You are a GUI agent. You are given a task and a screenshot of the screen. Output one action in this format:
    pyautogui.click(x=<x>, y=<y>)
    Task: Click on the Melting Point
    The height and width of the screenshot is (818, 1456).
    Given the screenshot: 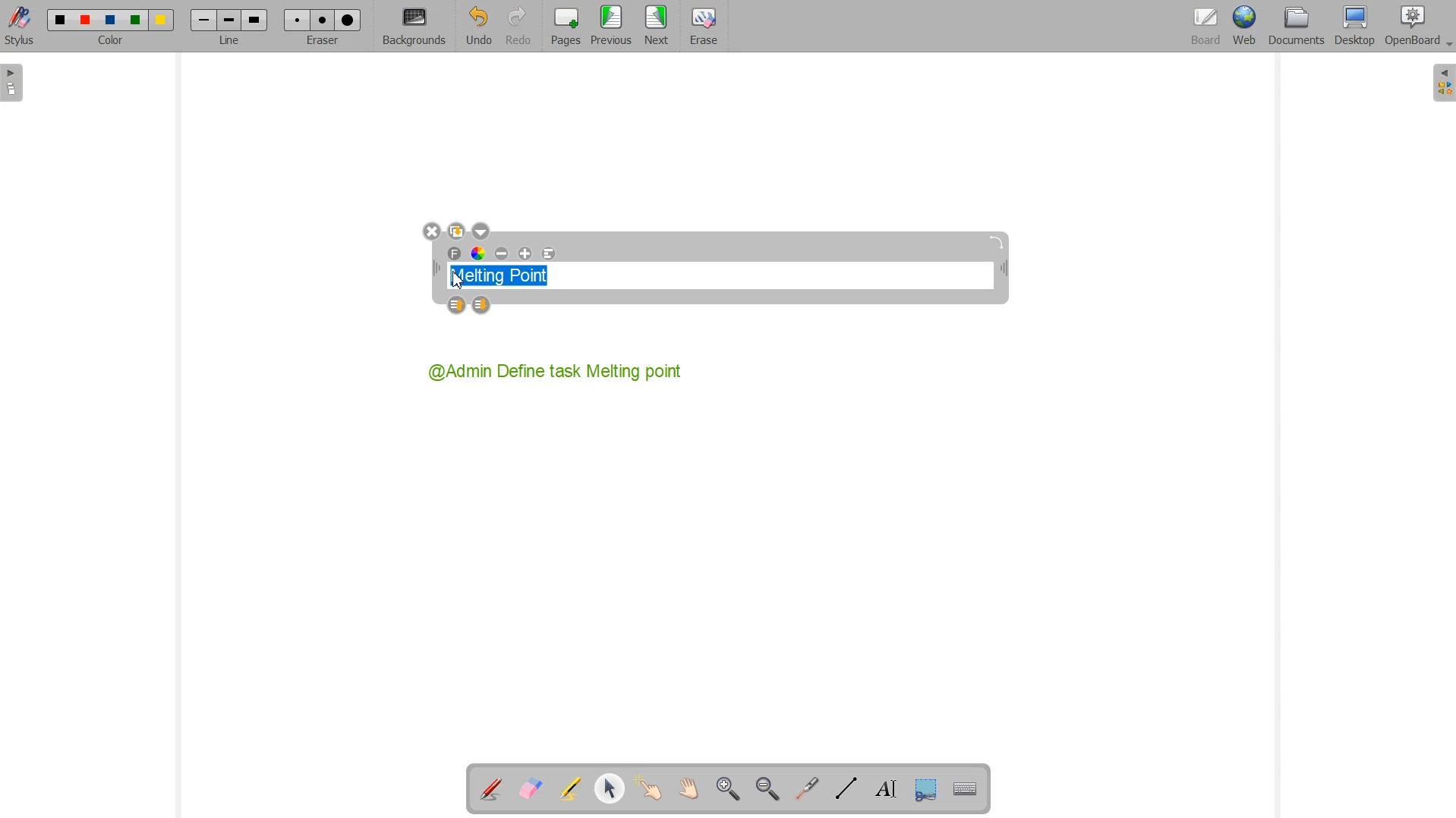 What is the action you would take?
    pyautogui.click(x=506, y=272)
    